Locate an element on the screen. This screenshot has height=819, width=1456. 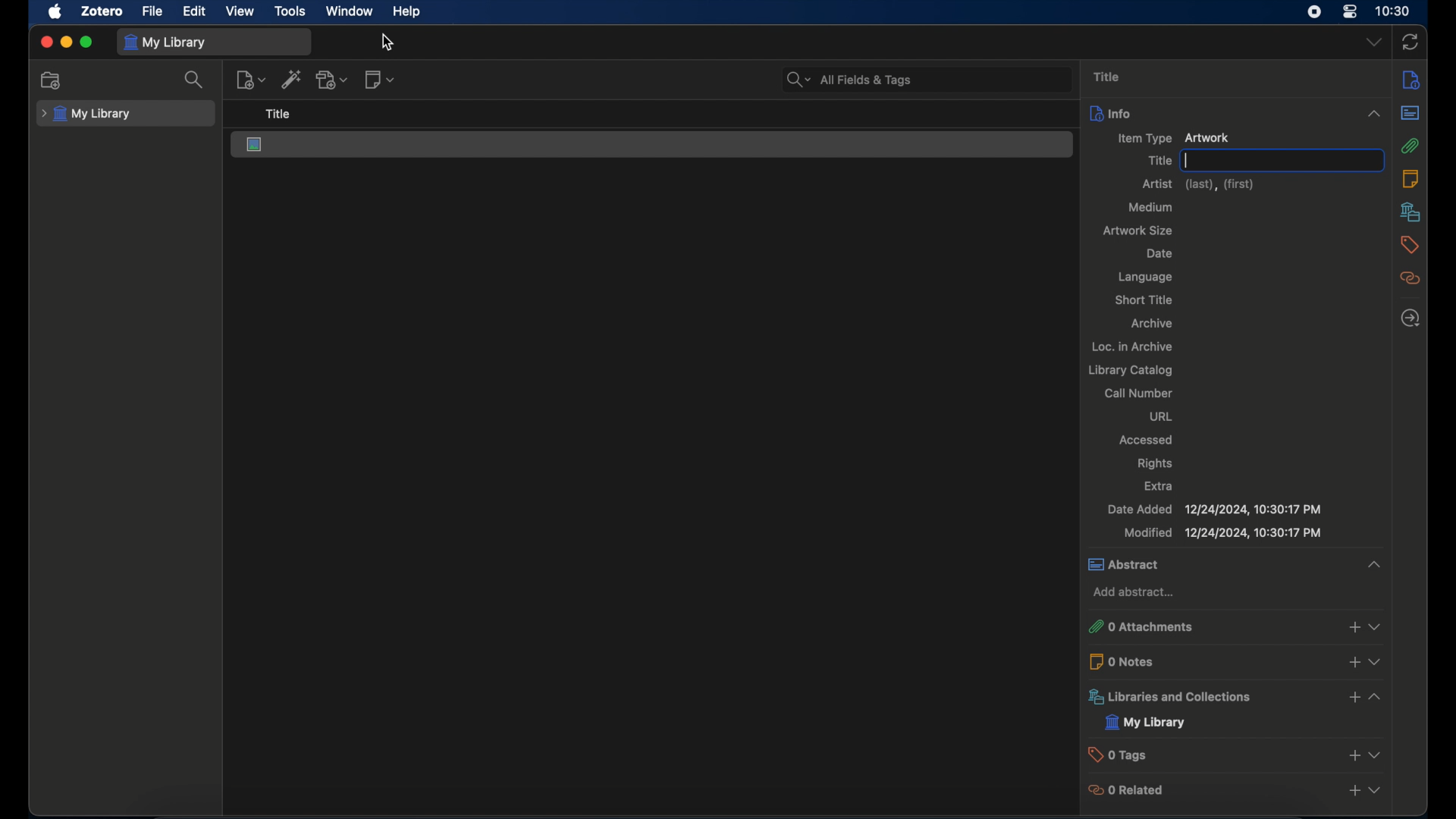
my library is located at coordinates (1147, 722).